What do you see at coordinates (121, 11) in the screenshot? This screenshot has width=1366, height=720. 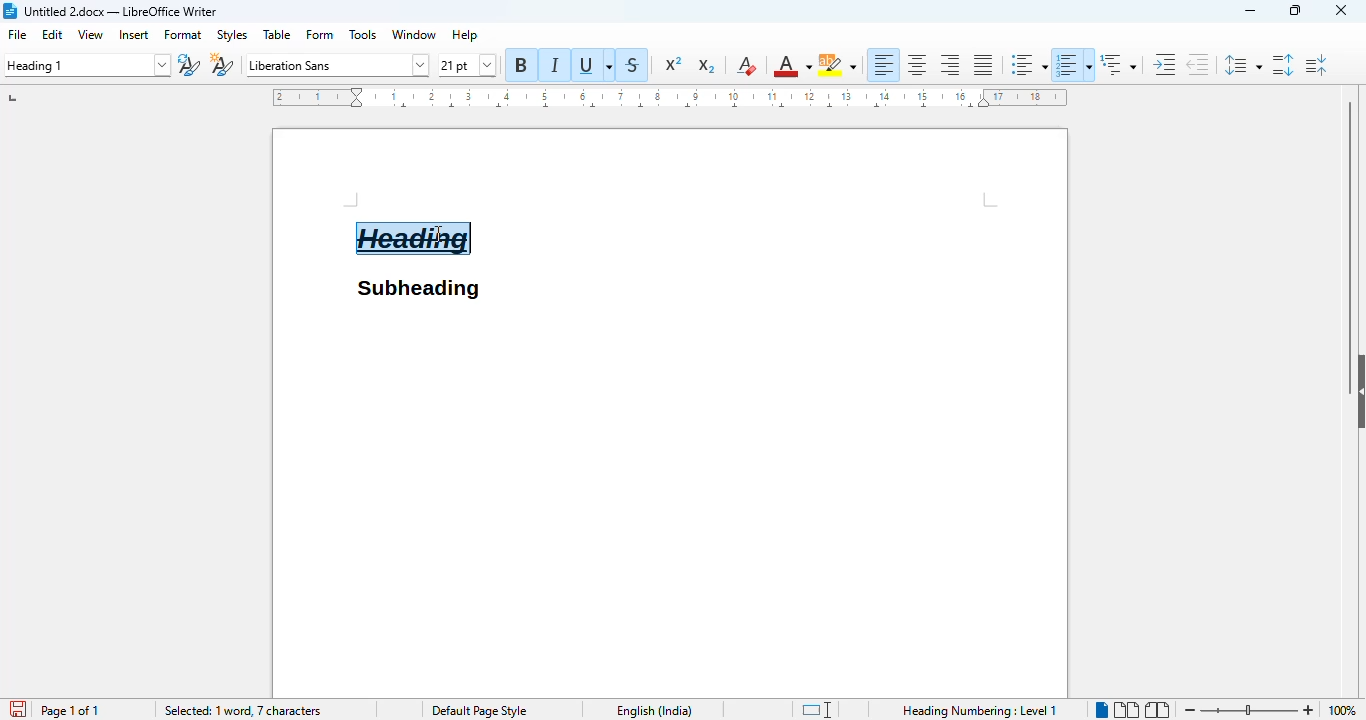 I see `title` at bounding box center [121, 11].